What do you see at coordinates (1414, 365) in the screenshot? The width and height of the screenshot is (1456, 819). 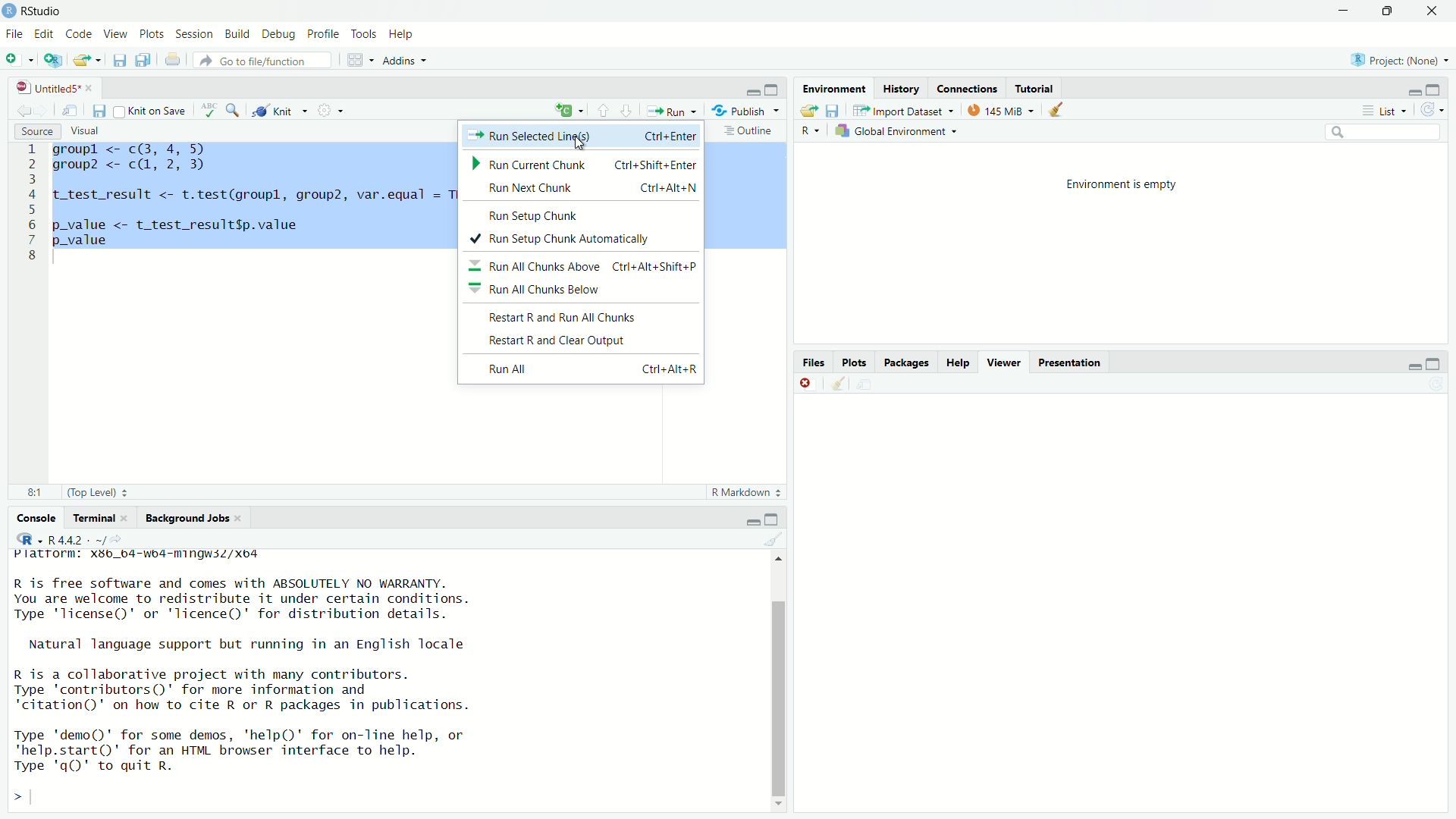 I see `minimise` at bounding box center [1414, 365].